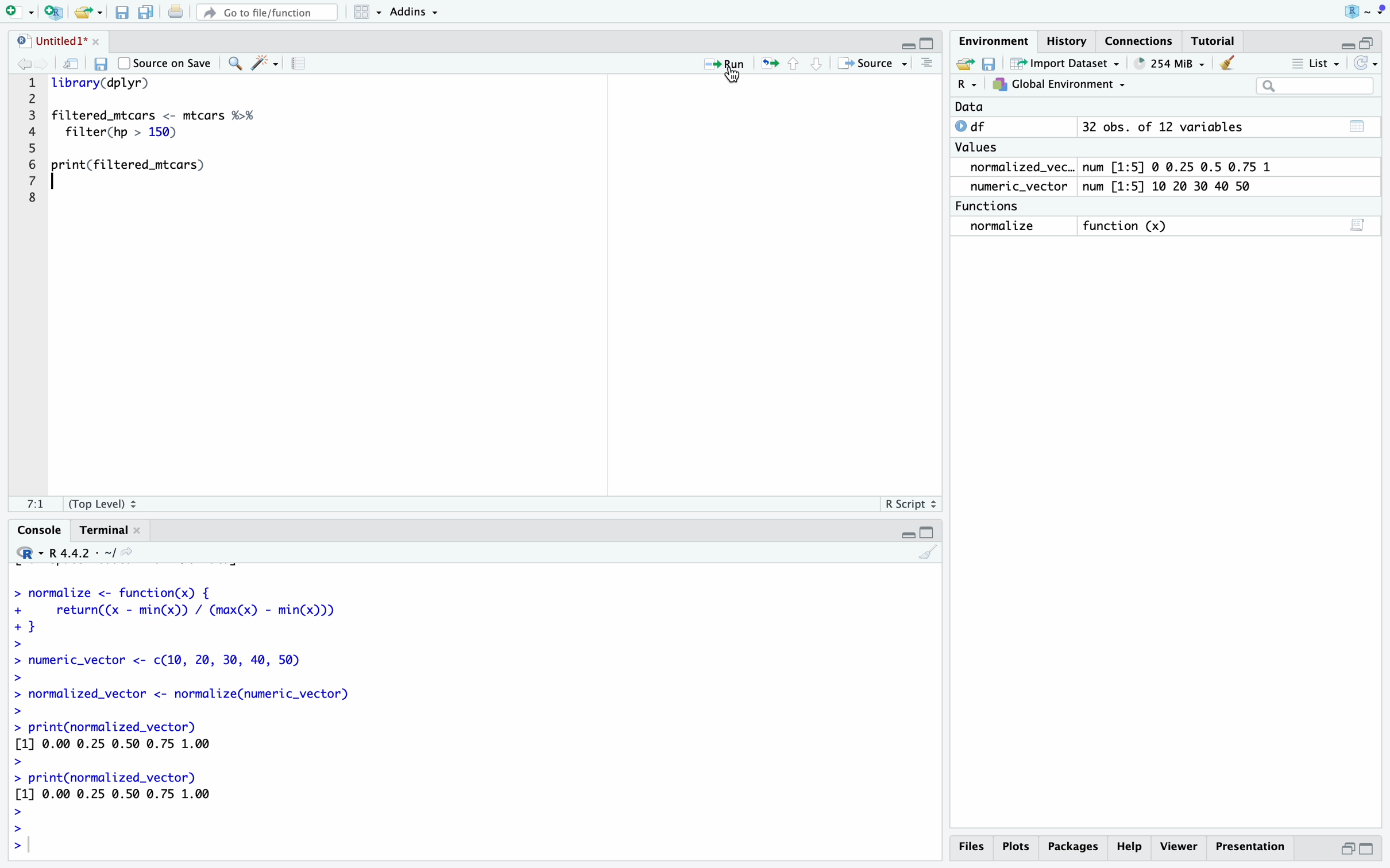 Image resolution: width=1390 pixels, height=868 pixels. Describe the element at coordinates (731, 79) in the screenshot. I see `cursor` at that location.